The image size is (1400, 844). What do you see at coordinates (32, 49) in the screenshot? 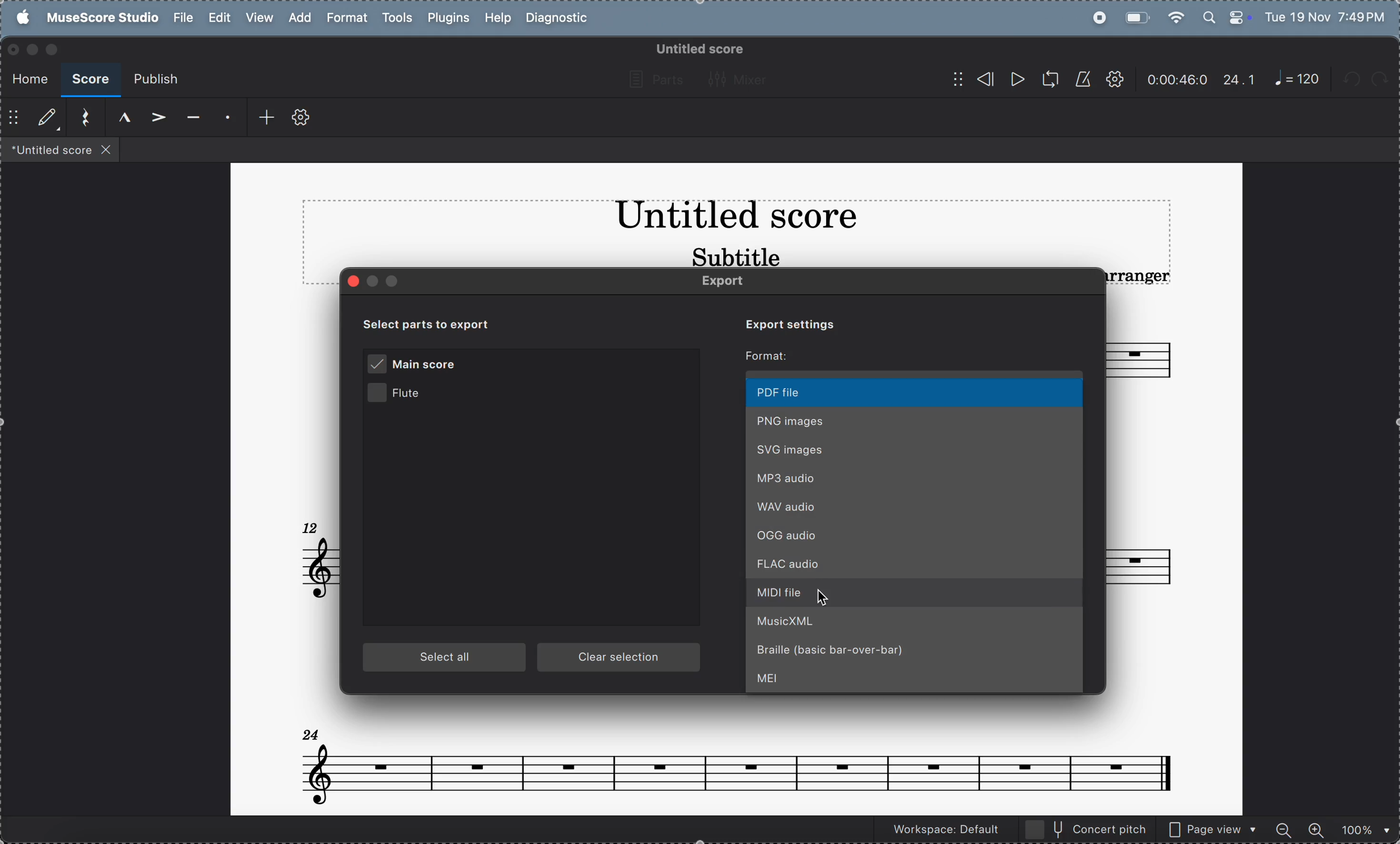
I see `minimize` at bounding box center [32, 49].